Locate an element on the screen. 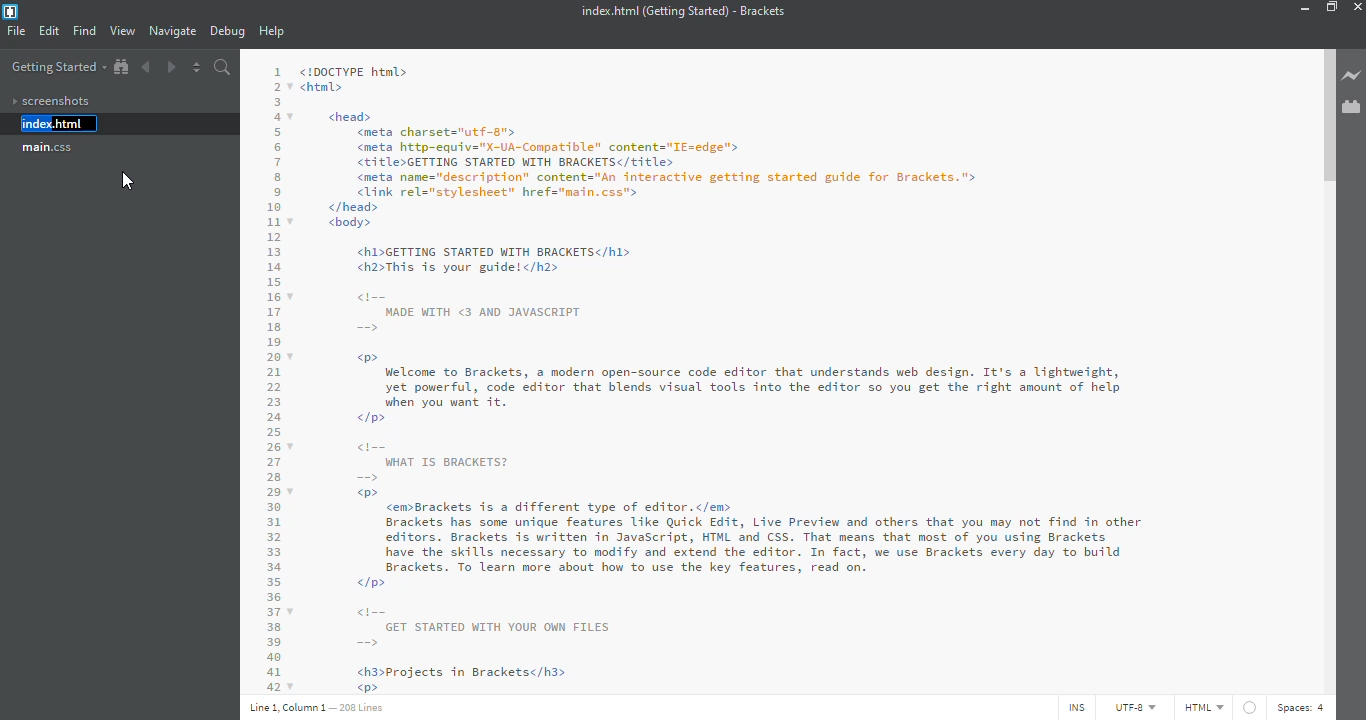 The height and width of the screenshot is (720, 1366). next is located at coordinates (170, 65).